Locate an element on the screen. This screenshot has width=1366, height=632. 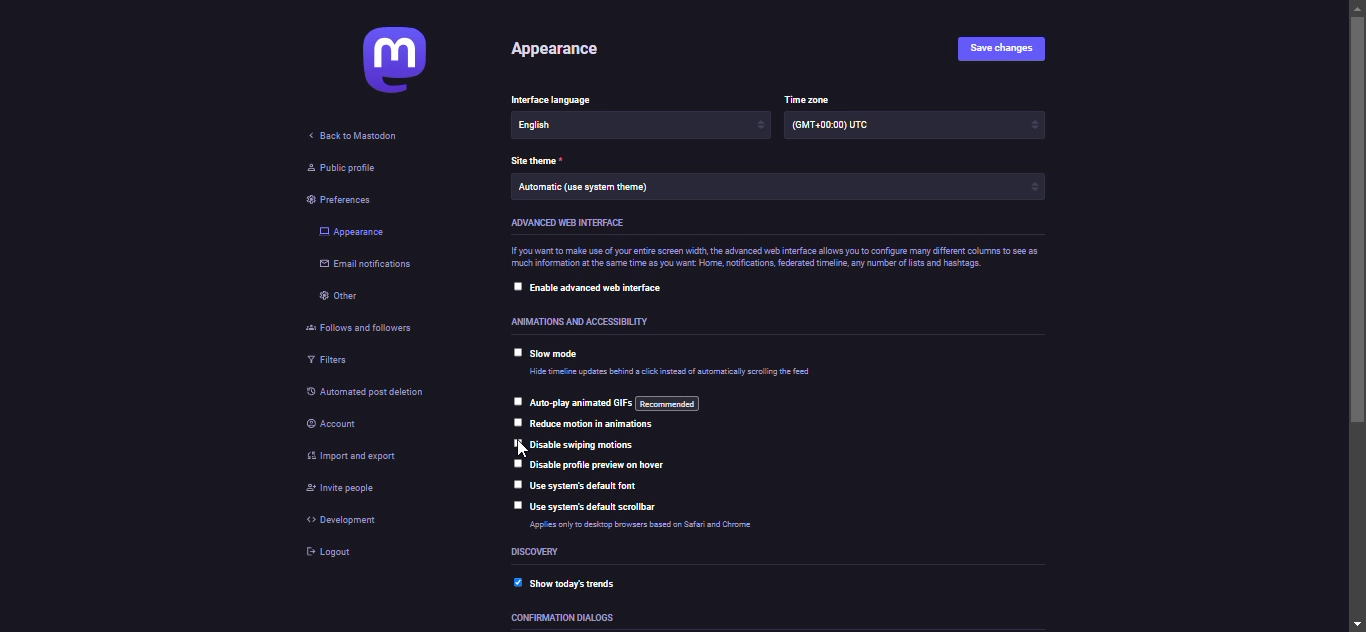
dialoges is located at coordinates (565, 620).